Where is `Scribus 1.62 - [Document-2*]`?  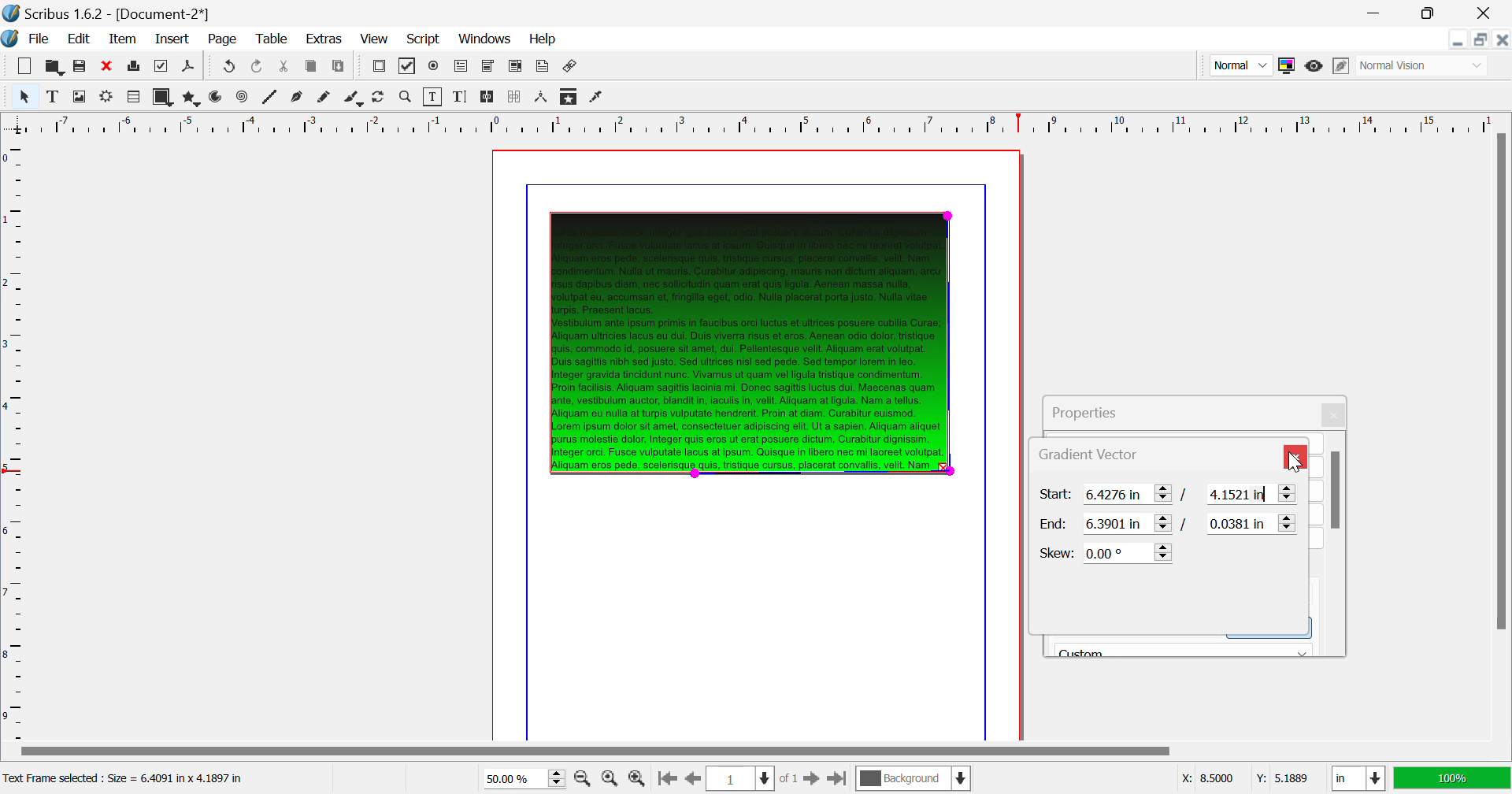
Scribus 1.62 - [Document-2*] is located at coordinates (108, 13).